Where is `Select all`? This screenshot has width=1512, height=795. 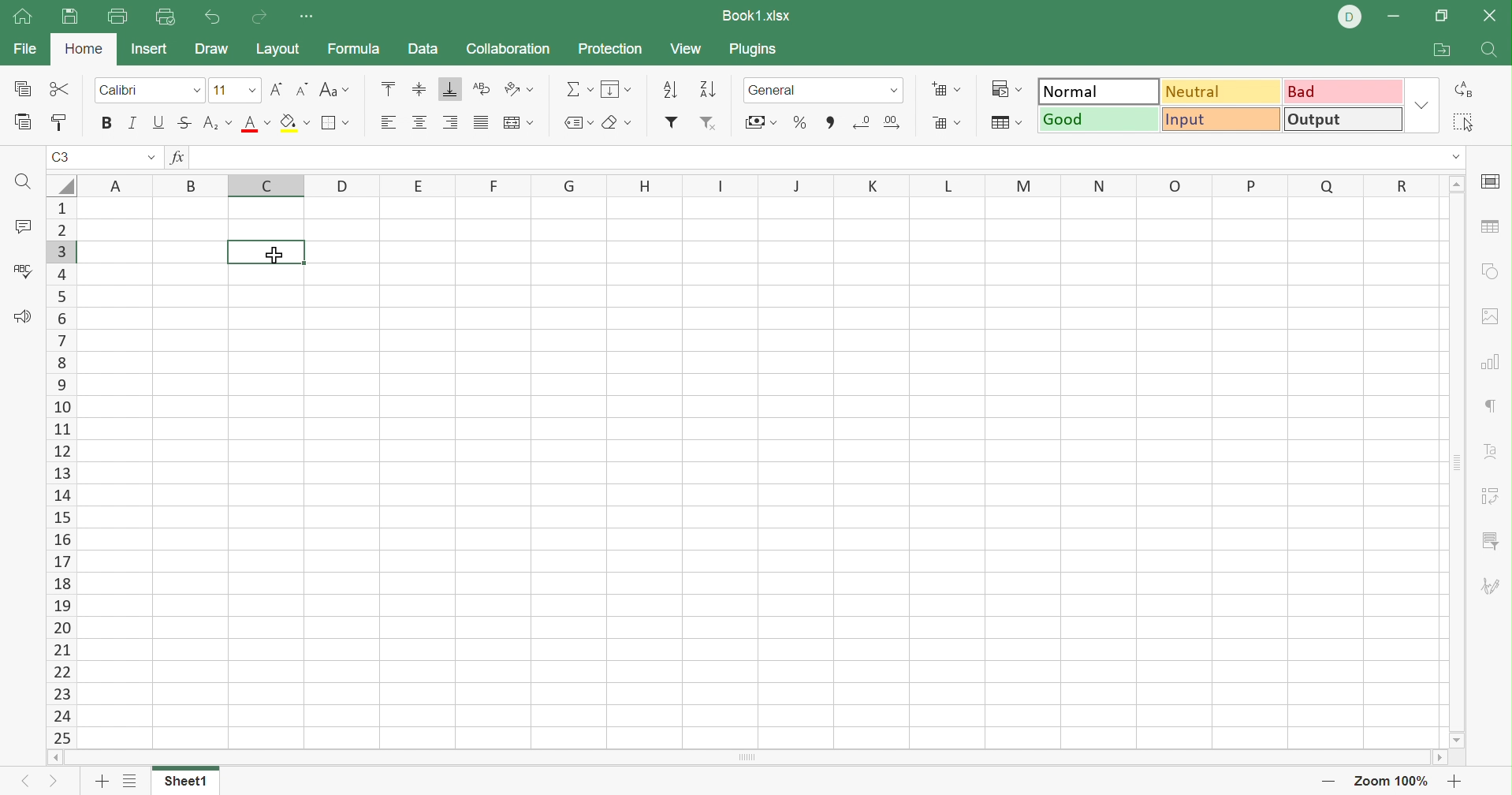 Select all is located at coordinates (1463, 121).